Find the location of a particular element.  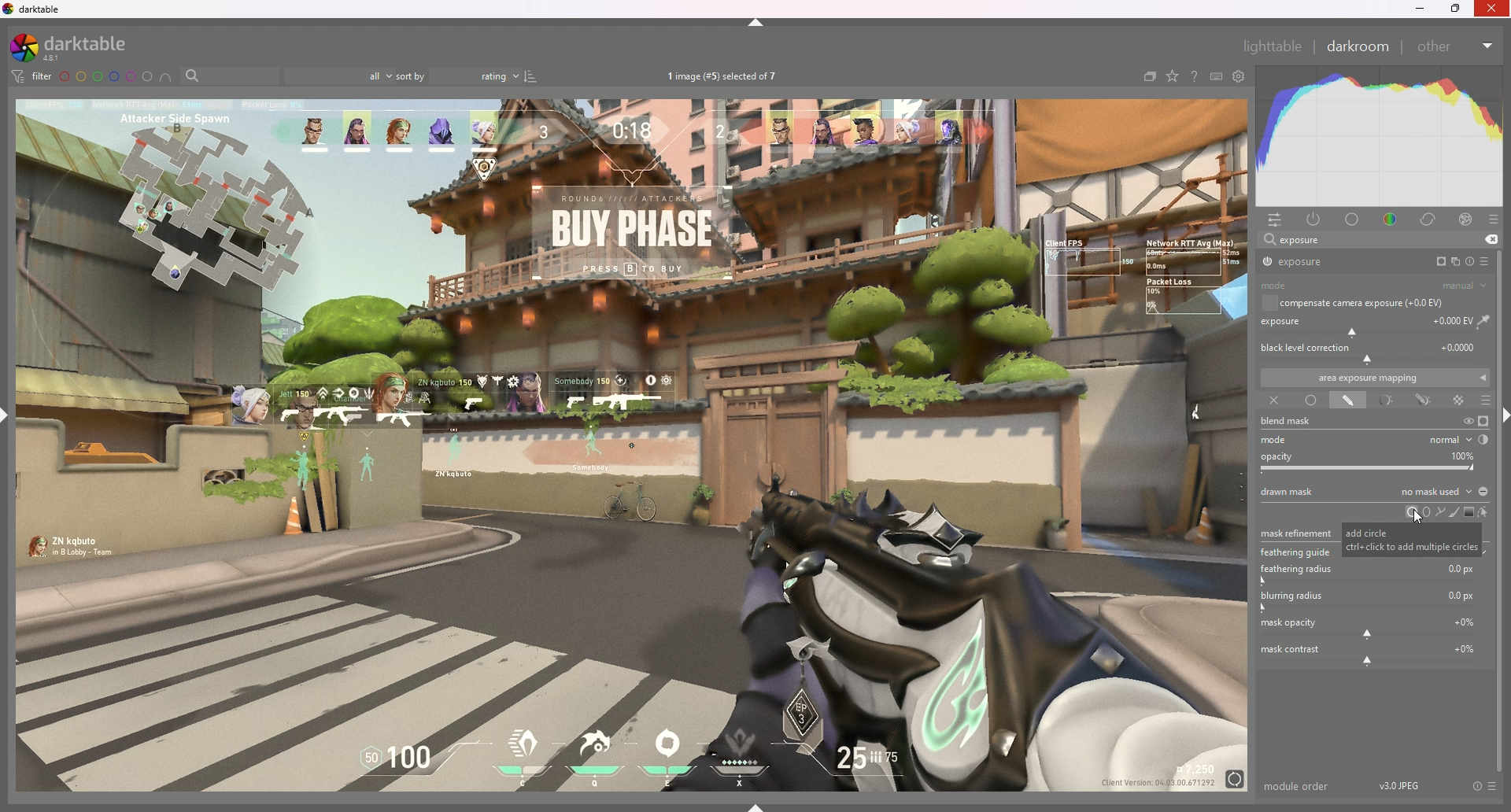

darktable is located at coordinates (79, 47).